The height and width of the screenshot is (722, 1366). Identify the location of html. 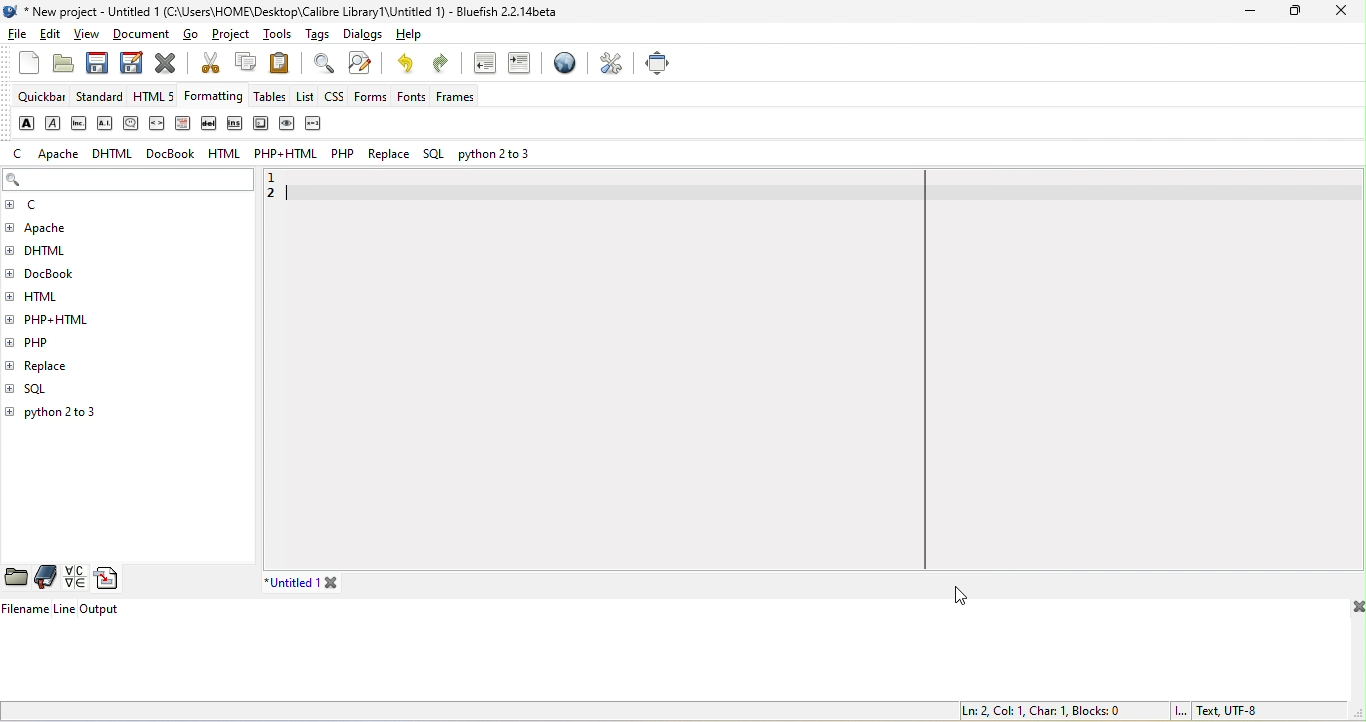
(222, 153).